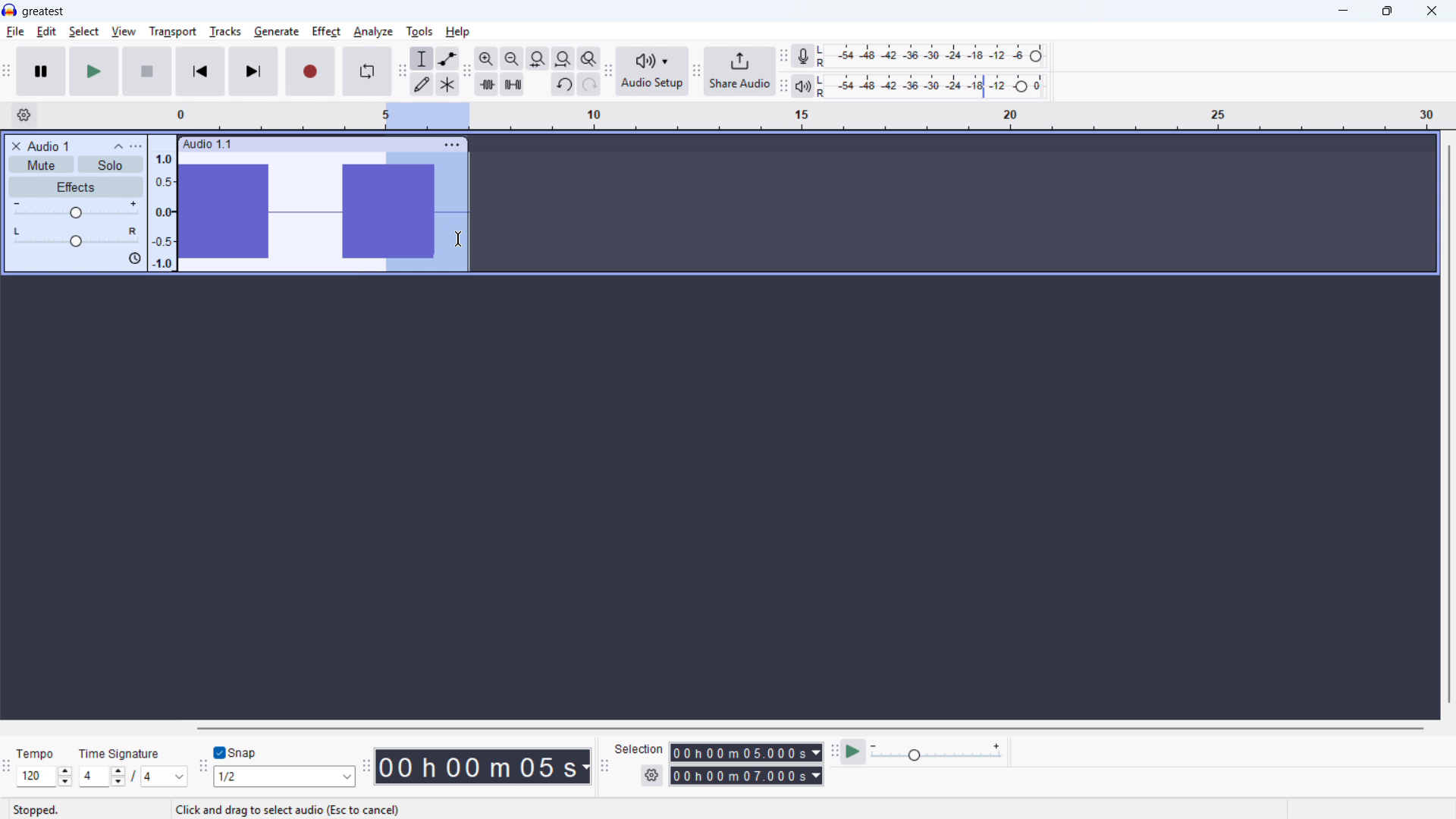  What do you see at coordinates (17, 146) in the screenshot?
I see `Remove track ` at bounding box center [17, 146].